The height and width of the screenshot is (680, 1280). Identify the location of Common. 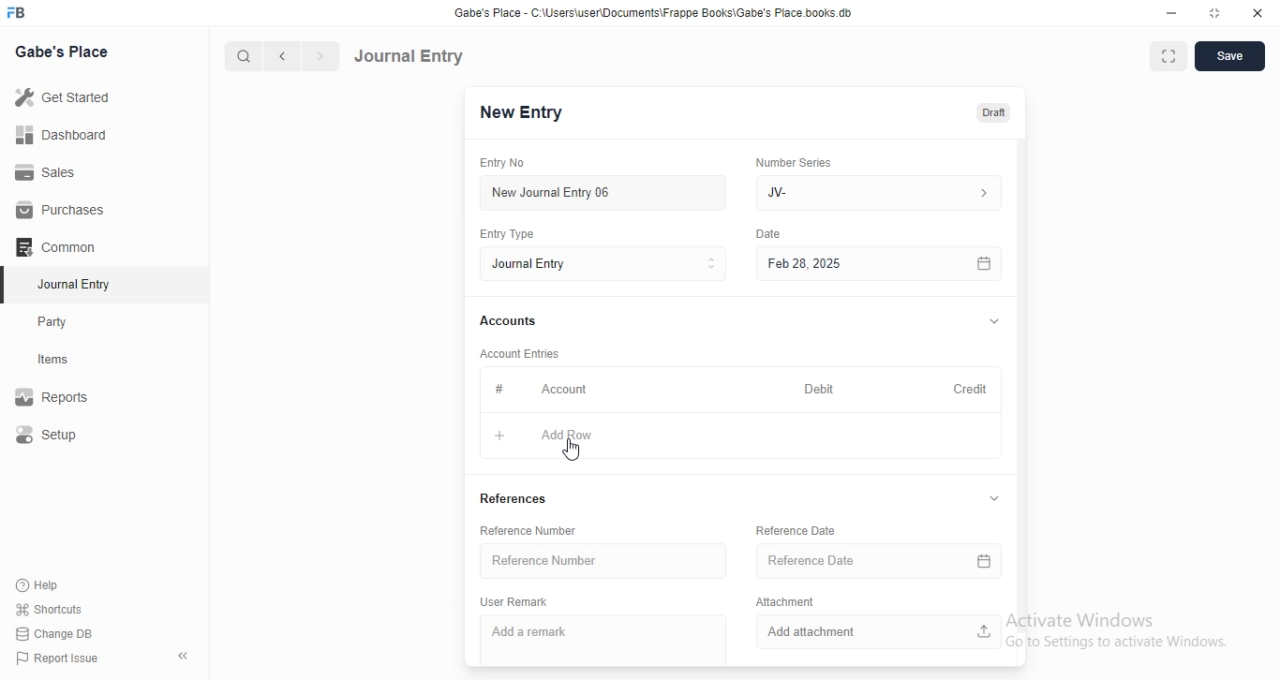
(61, 247).